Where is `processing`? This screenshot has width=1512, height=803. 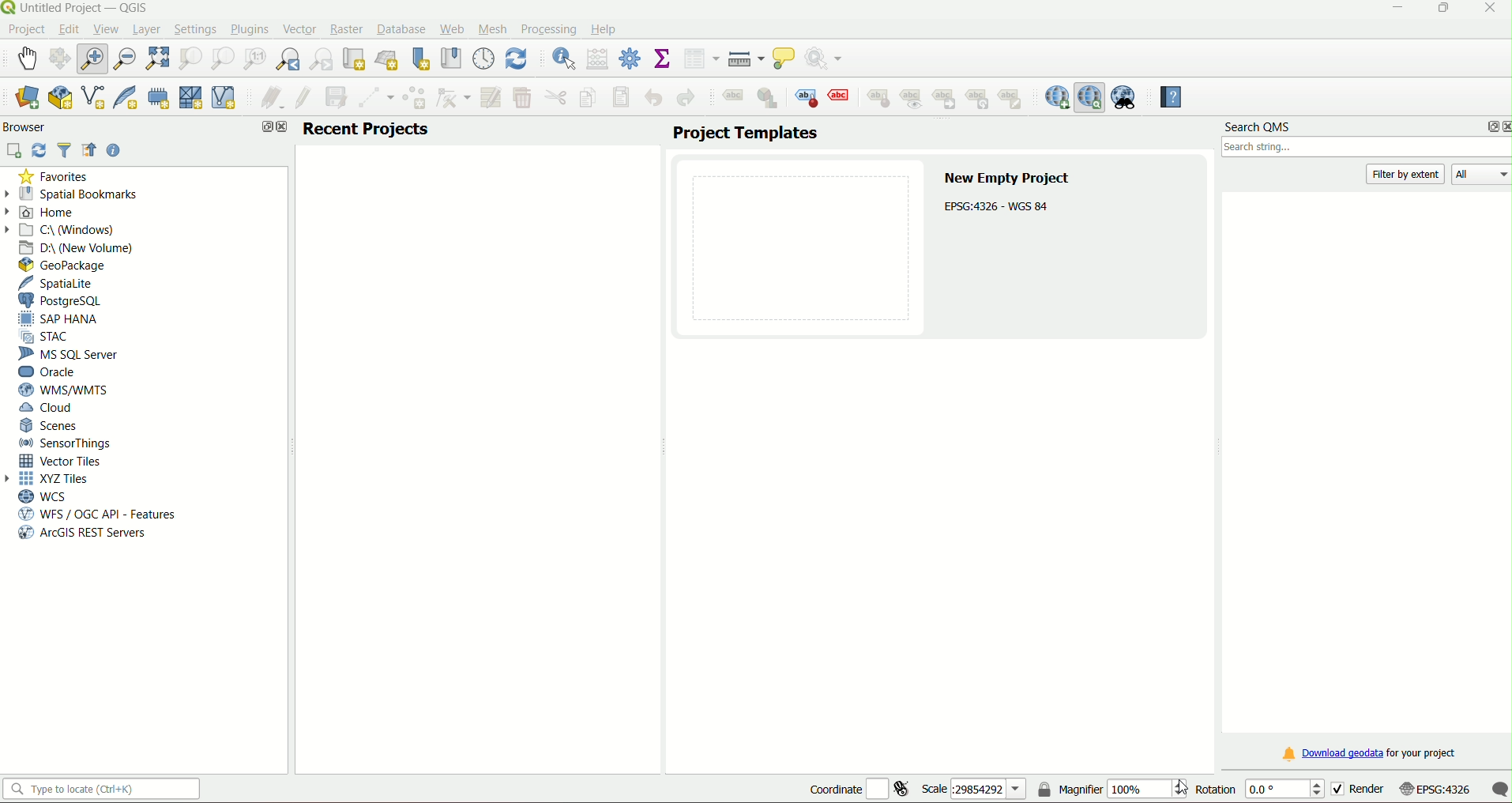 processing is located at coordinates (548, 28).